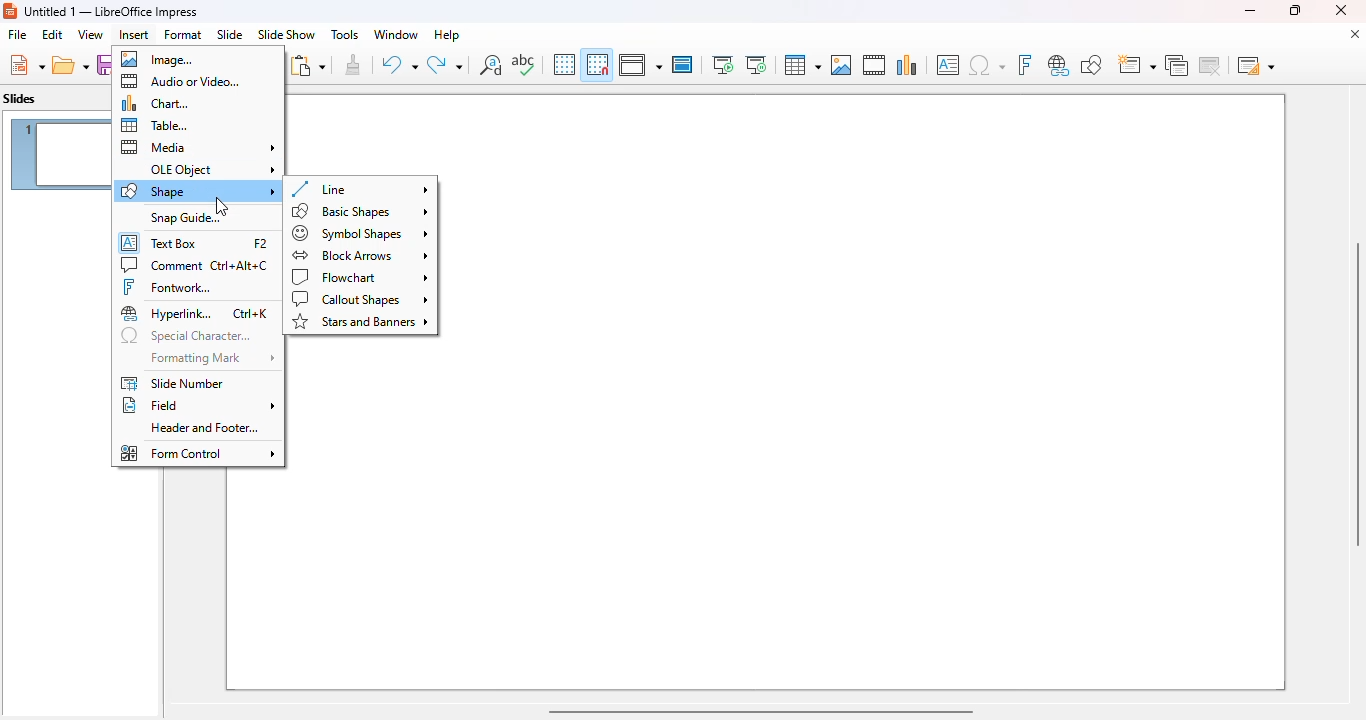  Describe the element at coordinates (1249, 10) in the screenshot. I see `minimize` at that location.